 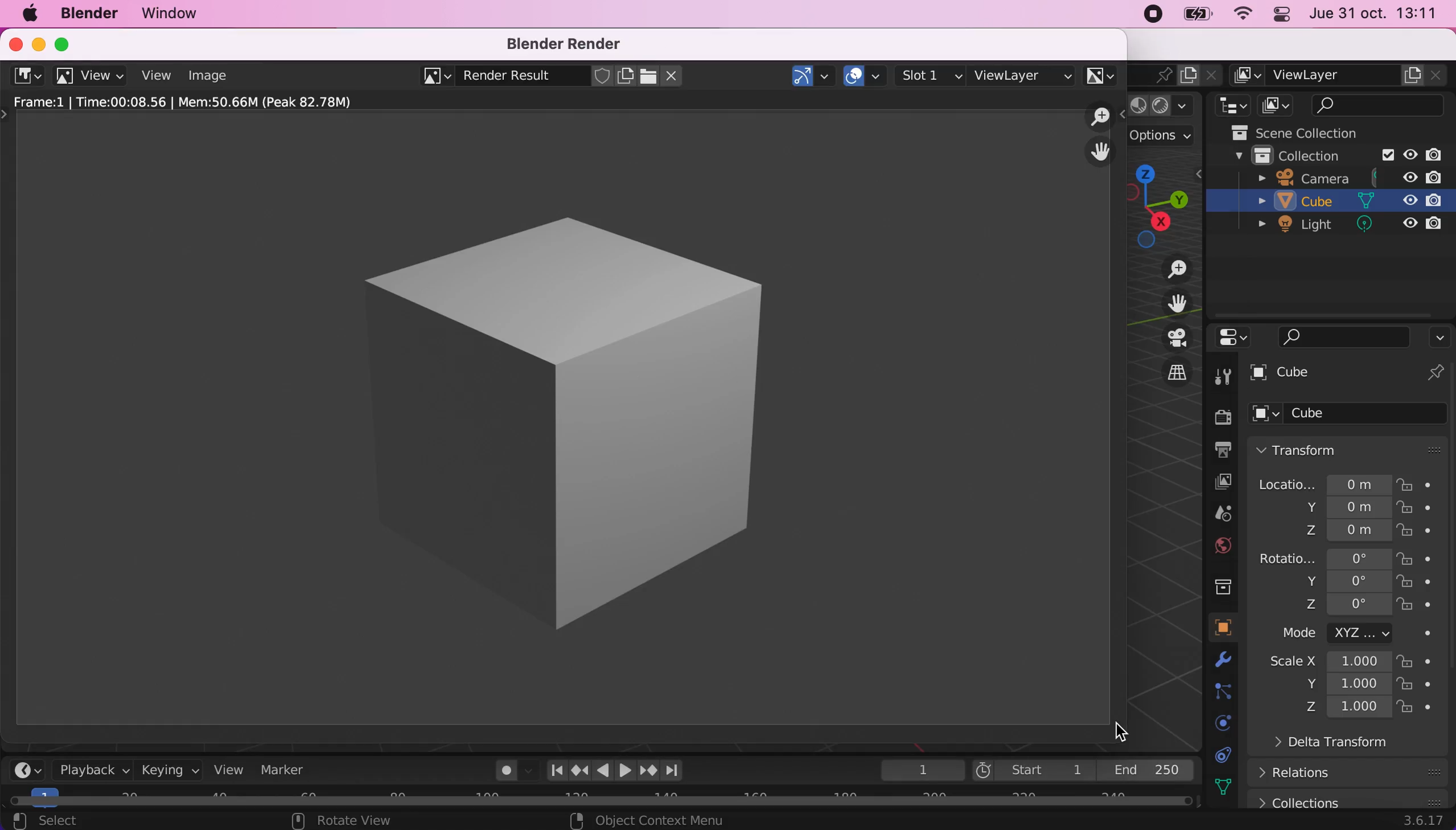 I want to click on scene collections, so click(x=1316, y=131).